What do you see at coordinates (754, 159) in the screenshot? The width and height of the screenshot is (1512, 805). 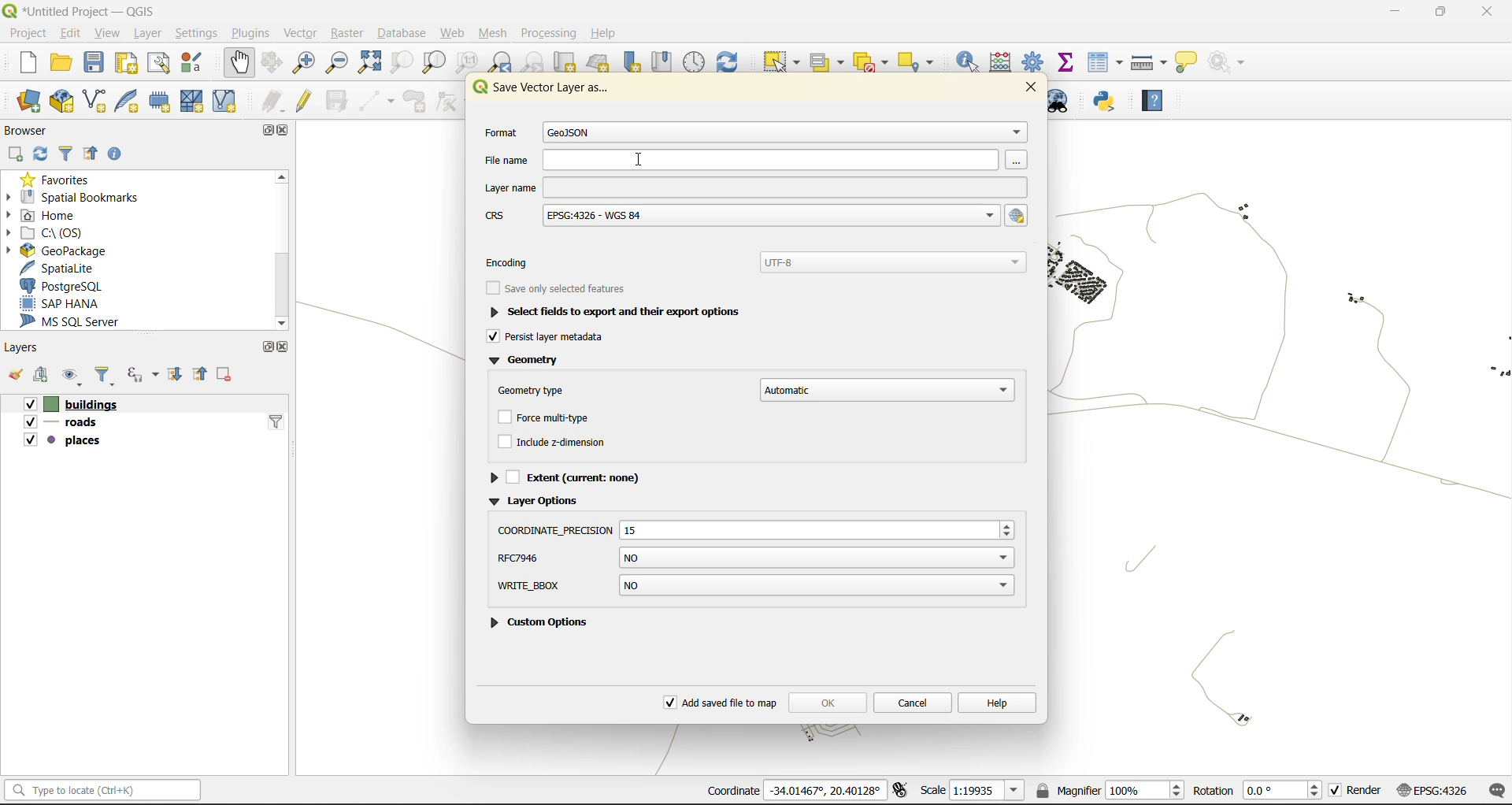 I see `file name` at bounding box center [754, 159].